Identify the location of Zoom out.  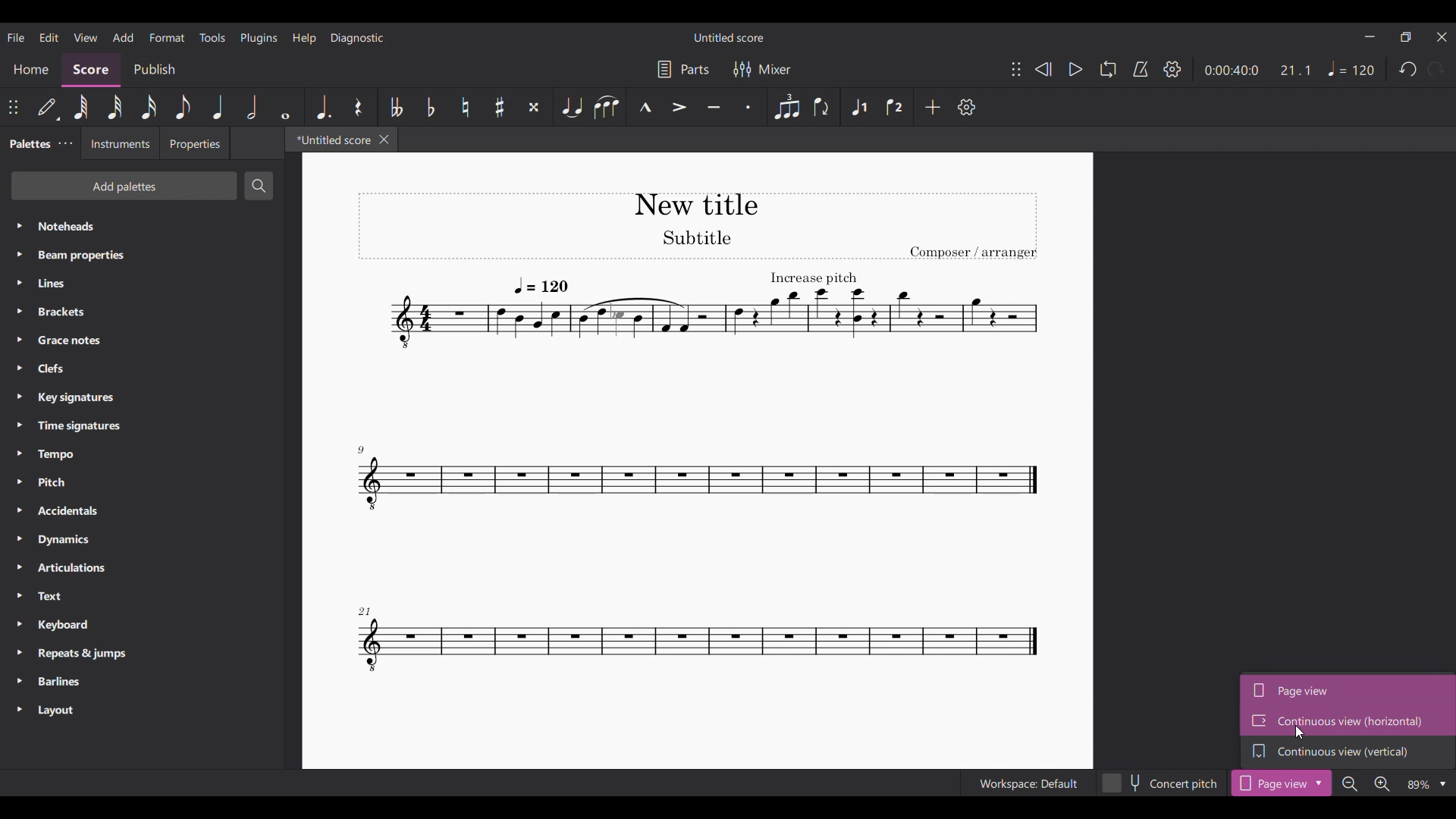
(1349, 784).